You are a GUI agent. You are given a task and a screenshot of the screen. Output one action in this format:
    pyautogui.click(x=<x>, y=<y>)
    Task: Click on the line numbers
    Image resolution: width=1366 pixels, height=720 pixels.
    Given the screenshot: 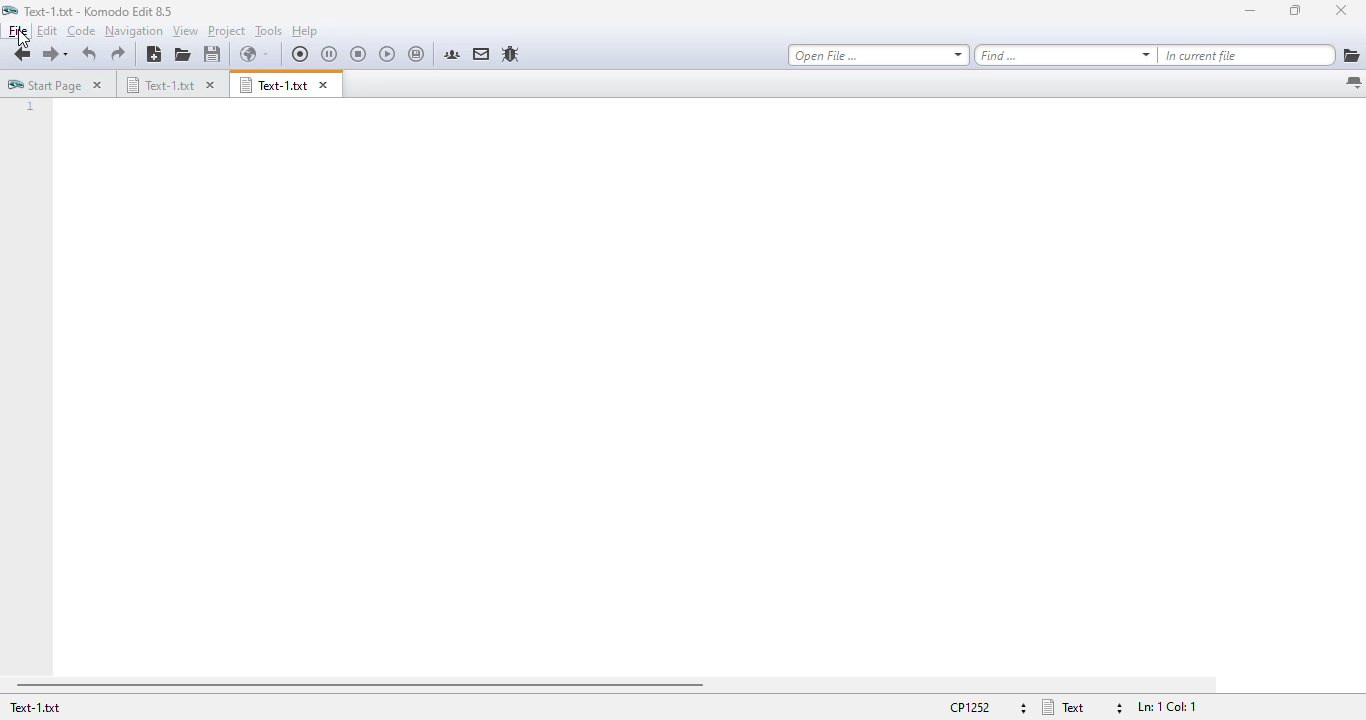 What is the action you would take?
    pyautogui.click(x=30, y=108)
    